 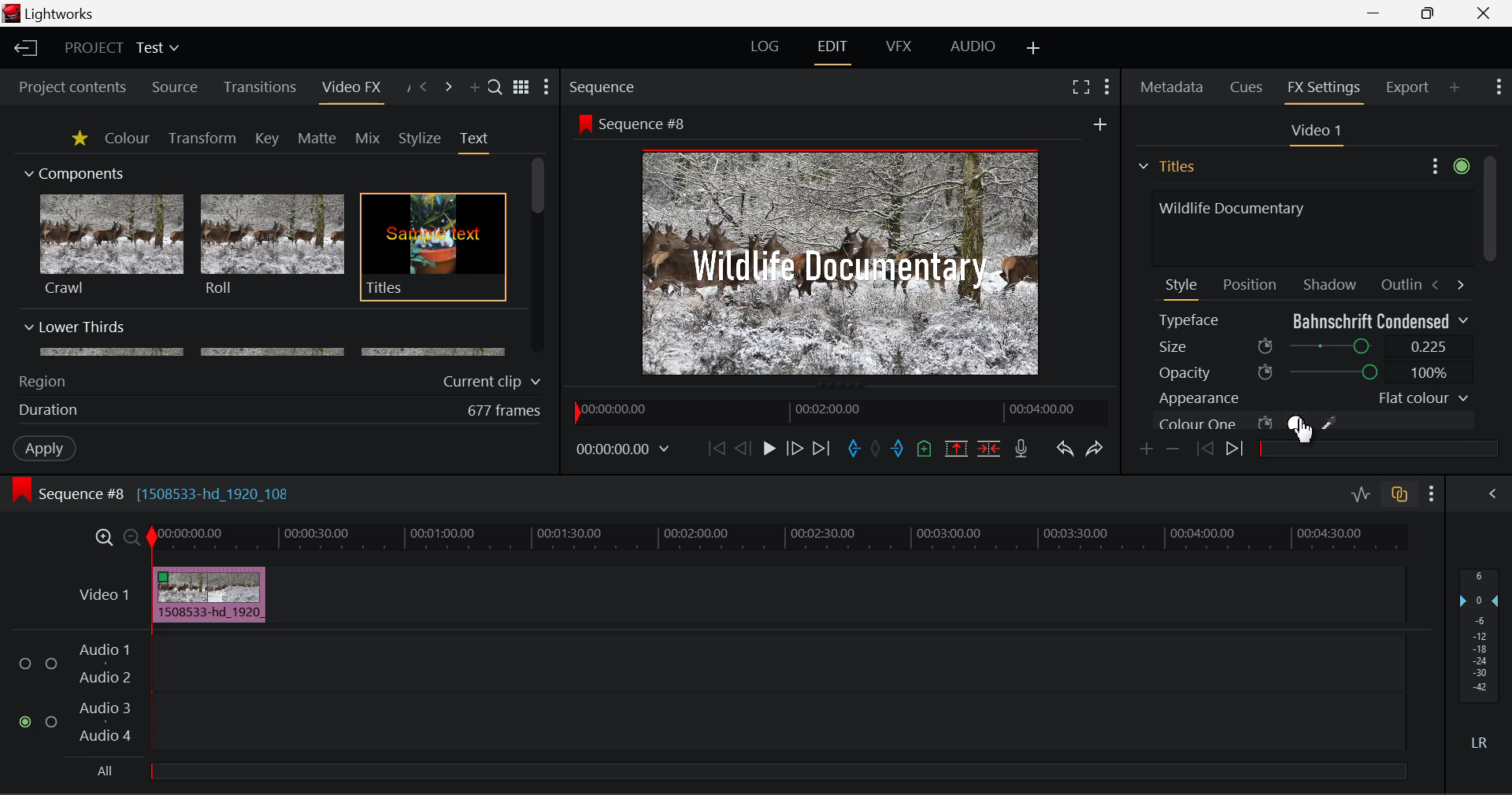 I want to click on Apply, so click(x=46, y=447).